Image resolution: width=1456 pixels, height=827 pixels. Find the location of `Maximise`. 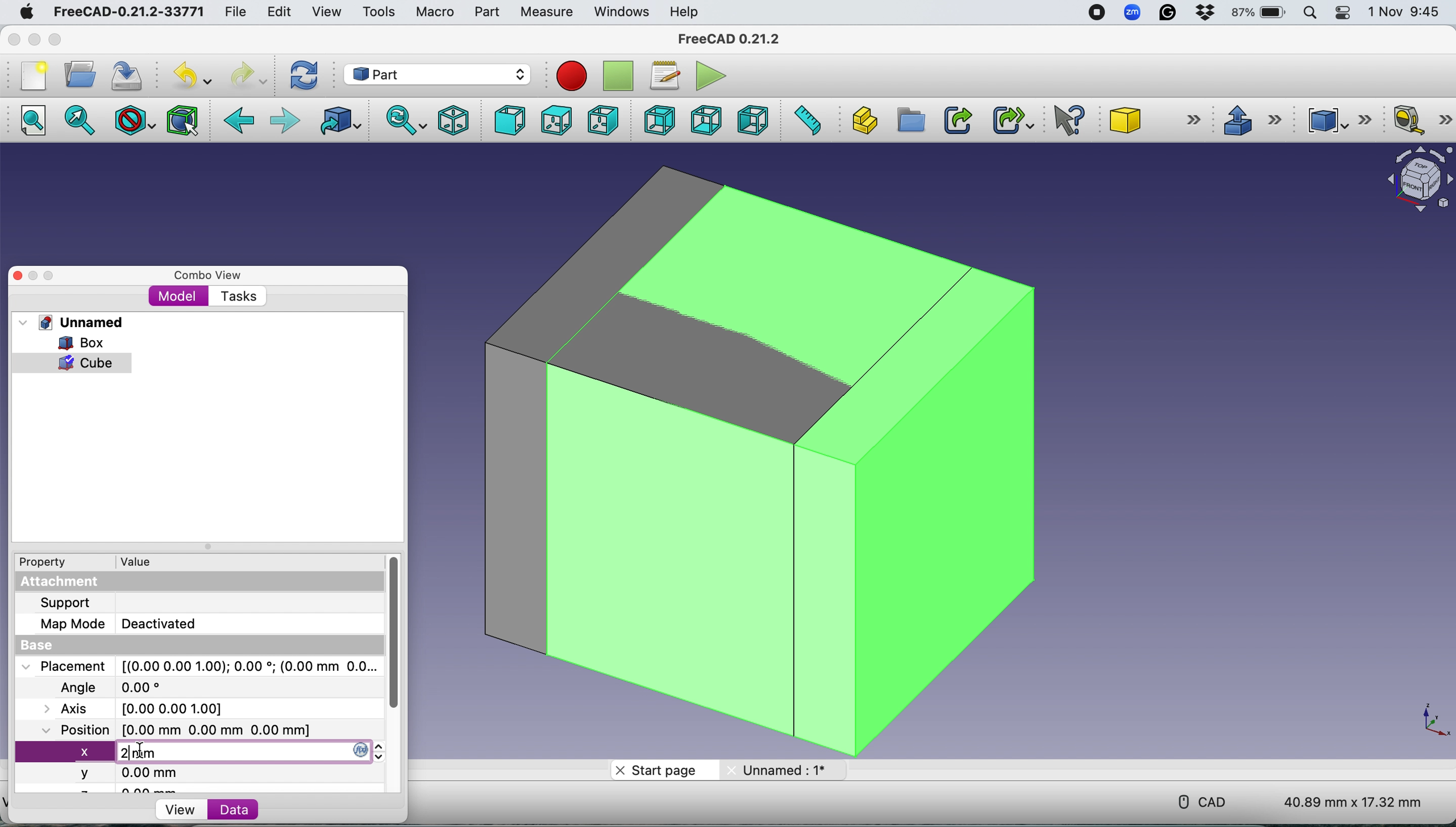

Maximise is located at coordinates (51, 276).